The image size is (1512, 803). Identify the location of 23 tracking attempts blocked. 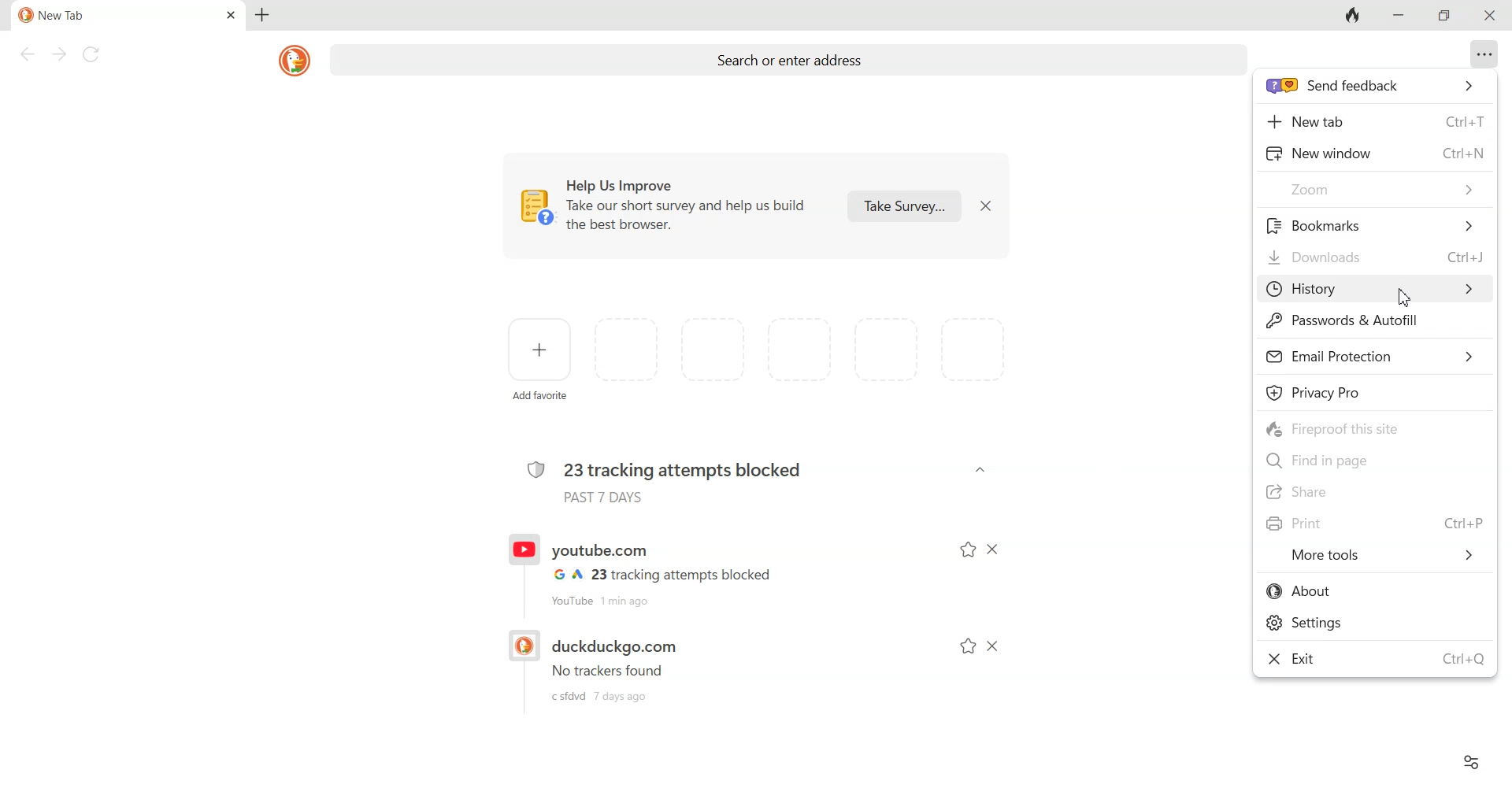
(665, 478).